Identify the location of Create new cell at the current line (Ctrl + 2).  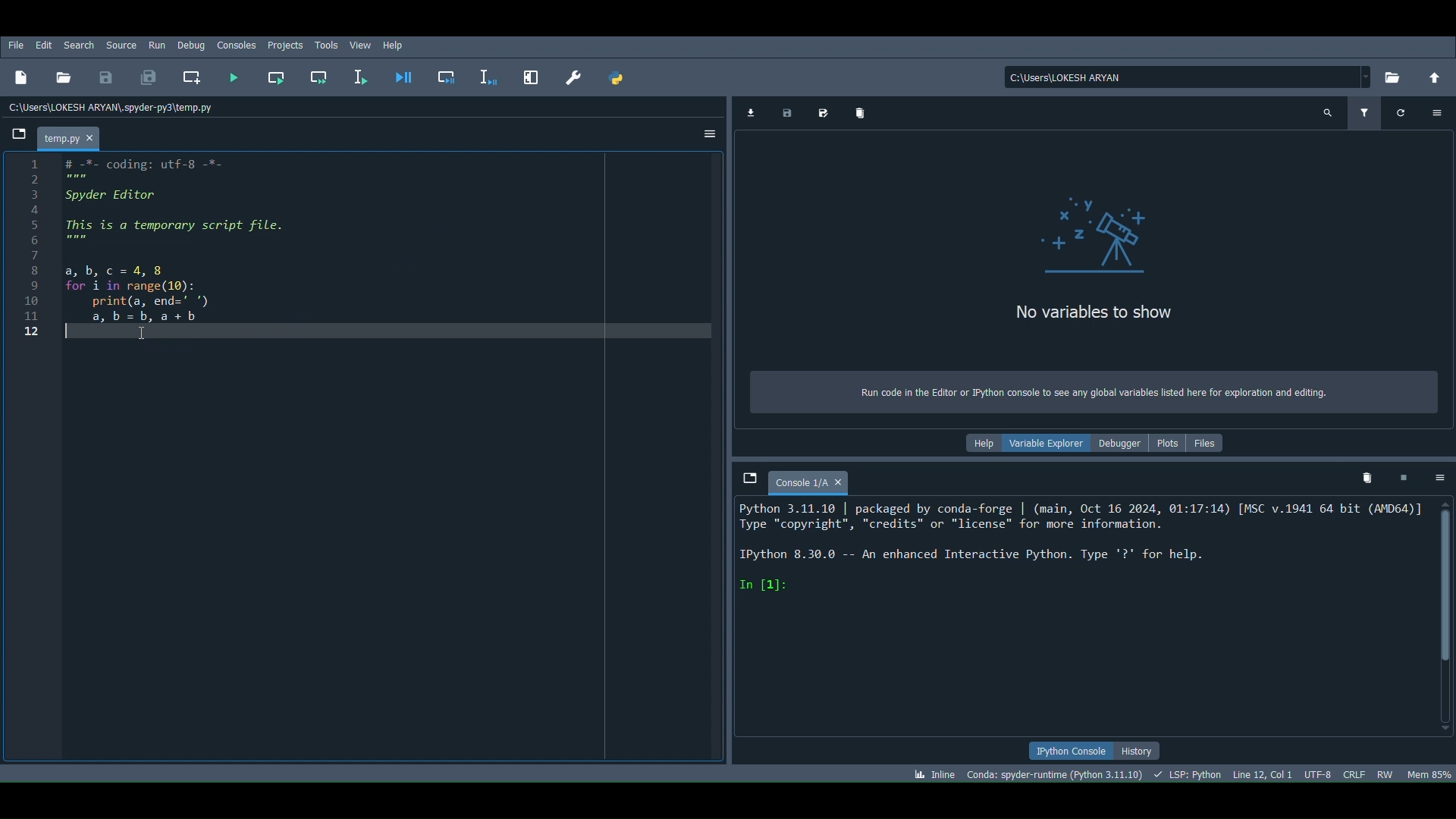
(193, 78).